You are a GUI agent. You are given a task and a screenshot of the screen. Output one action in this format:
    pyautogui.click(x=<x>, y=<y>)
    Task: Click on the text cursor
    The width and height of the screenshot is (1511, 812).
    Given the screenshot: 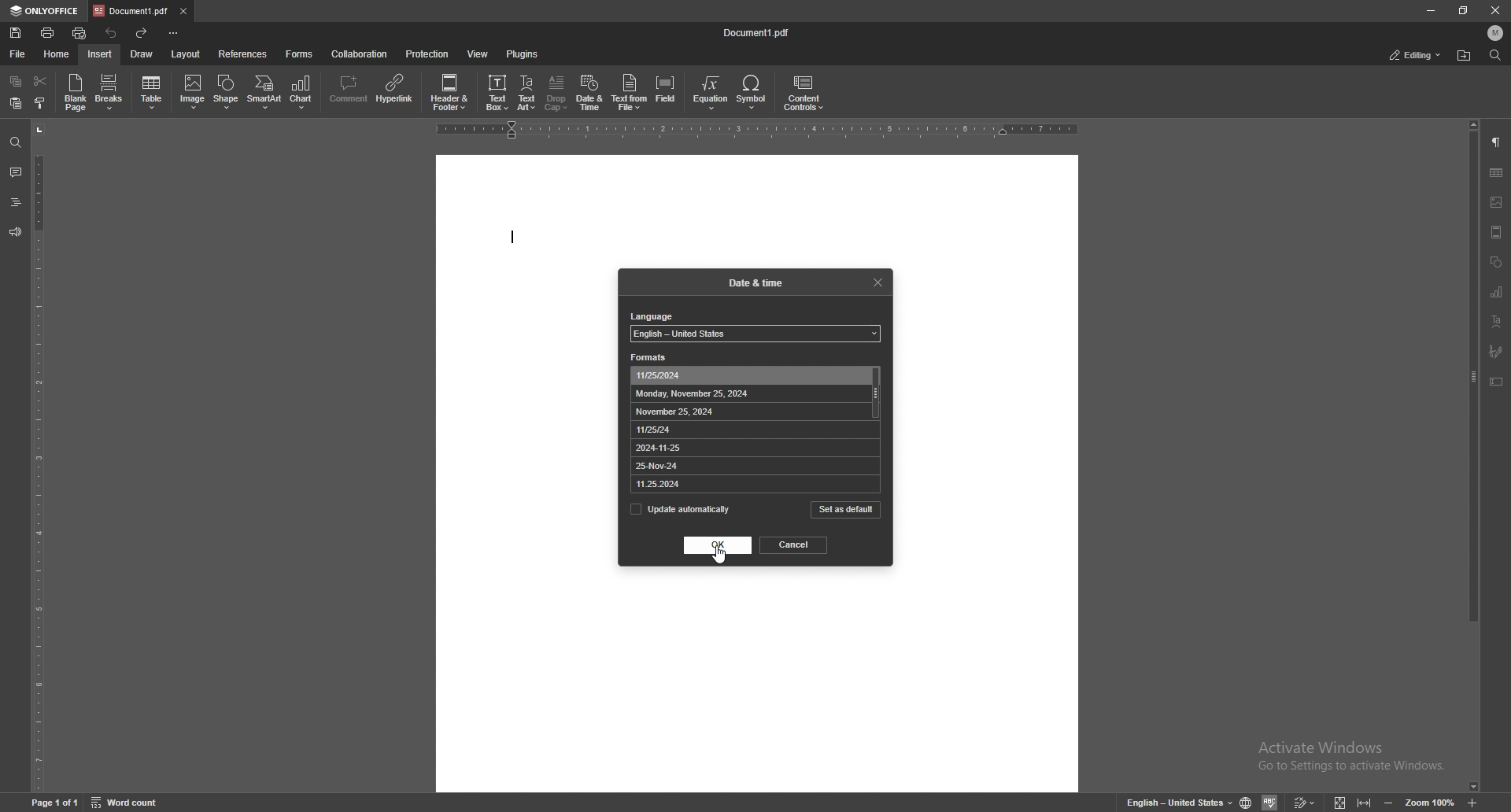 What is the action you would take?
    pyautogui.click(x=519, y=239)
    